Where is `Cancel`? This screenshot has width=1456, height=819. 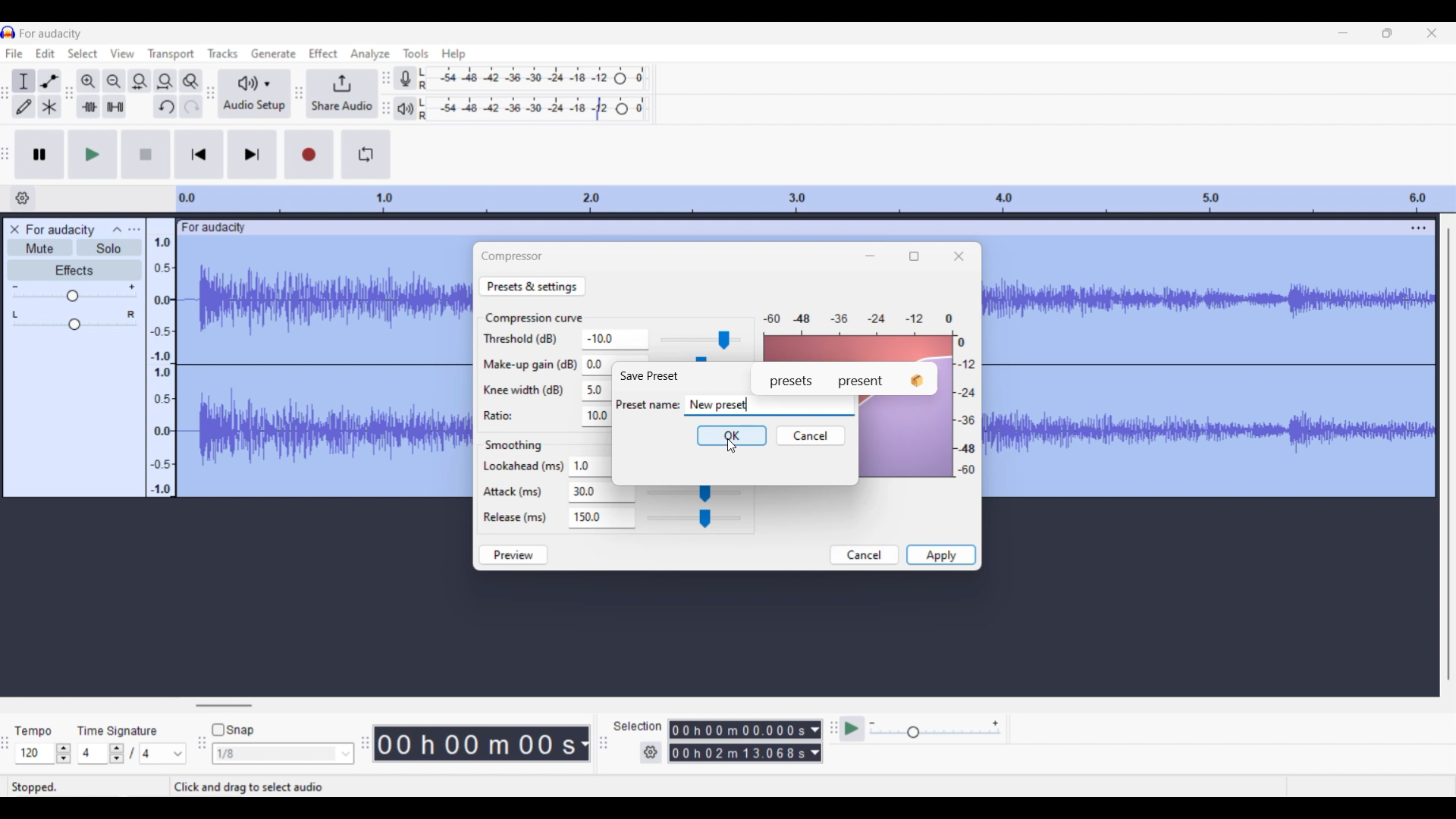
Cancel is located at coordinates (865, 555).